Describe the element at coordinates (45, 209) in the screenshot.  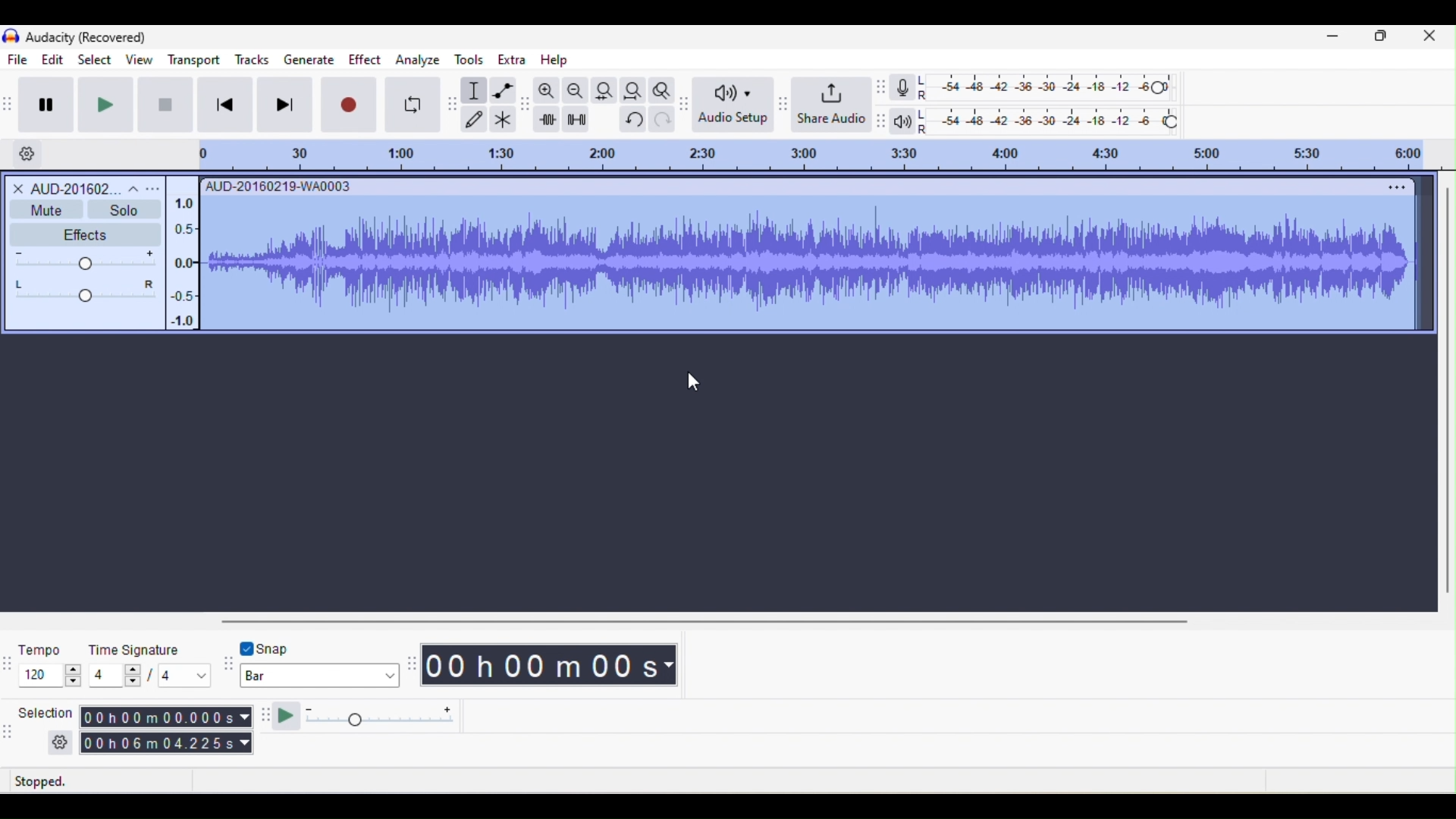
I see `Mute` at that location.